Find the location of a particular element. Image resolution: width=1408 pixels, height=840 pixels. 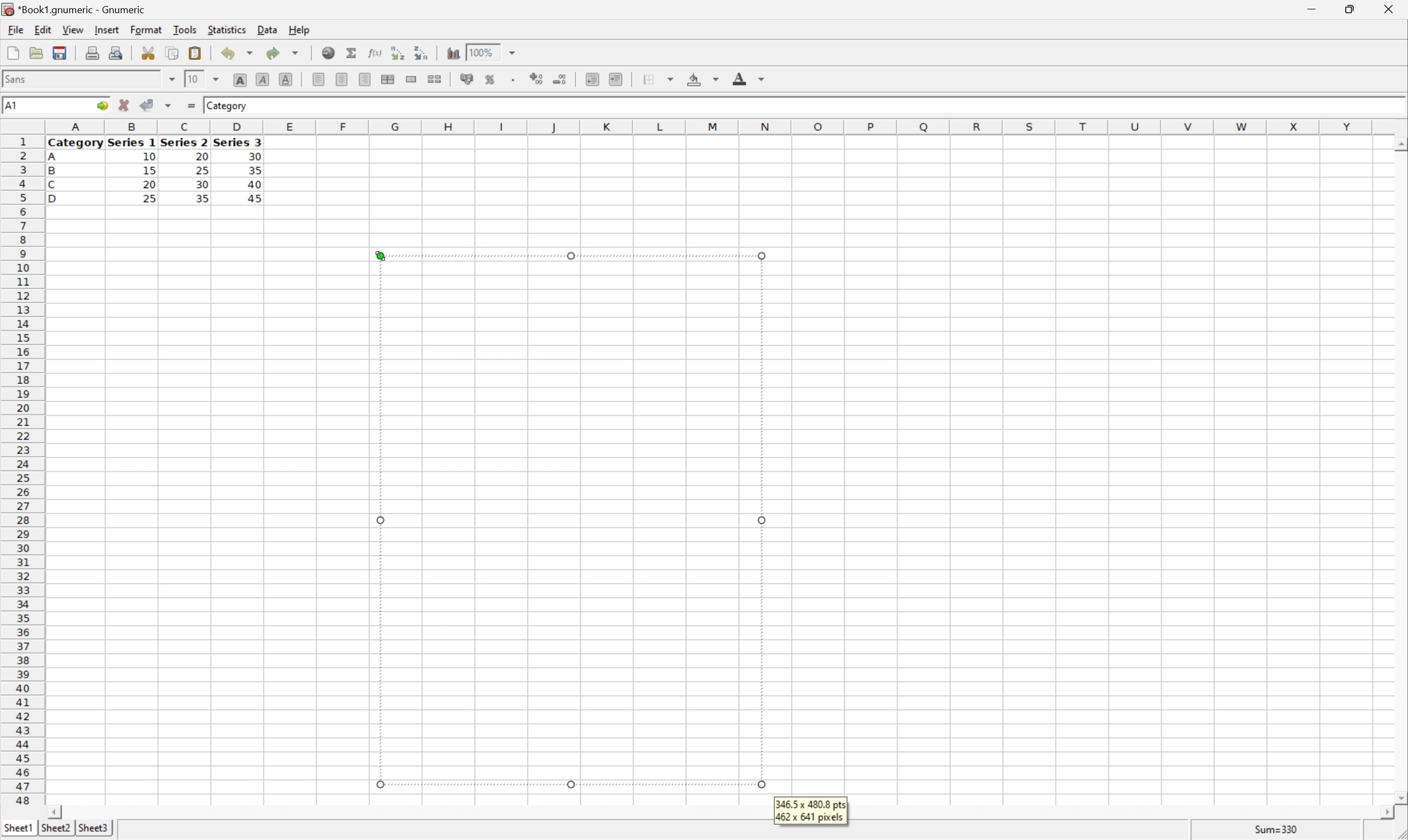

Borders is located at coordinates (661, 78).